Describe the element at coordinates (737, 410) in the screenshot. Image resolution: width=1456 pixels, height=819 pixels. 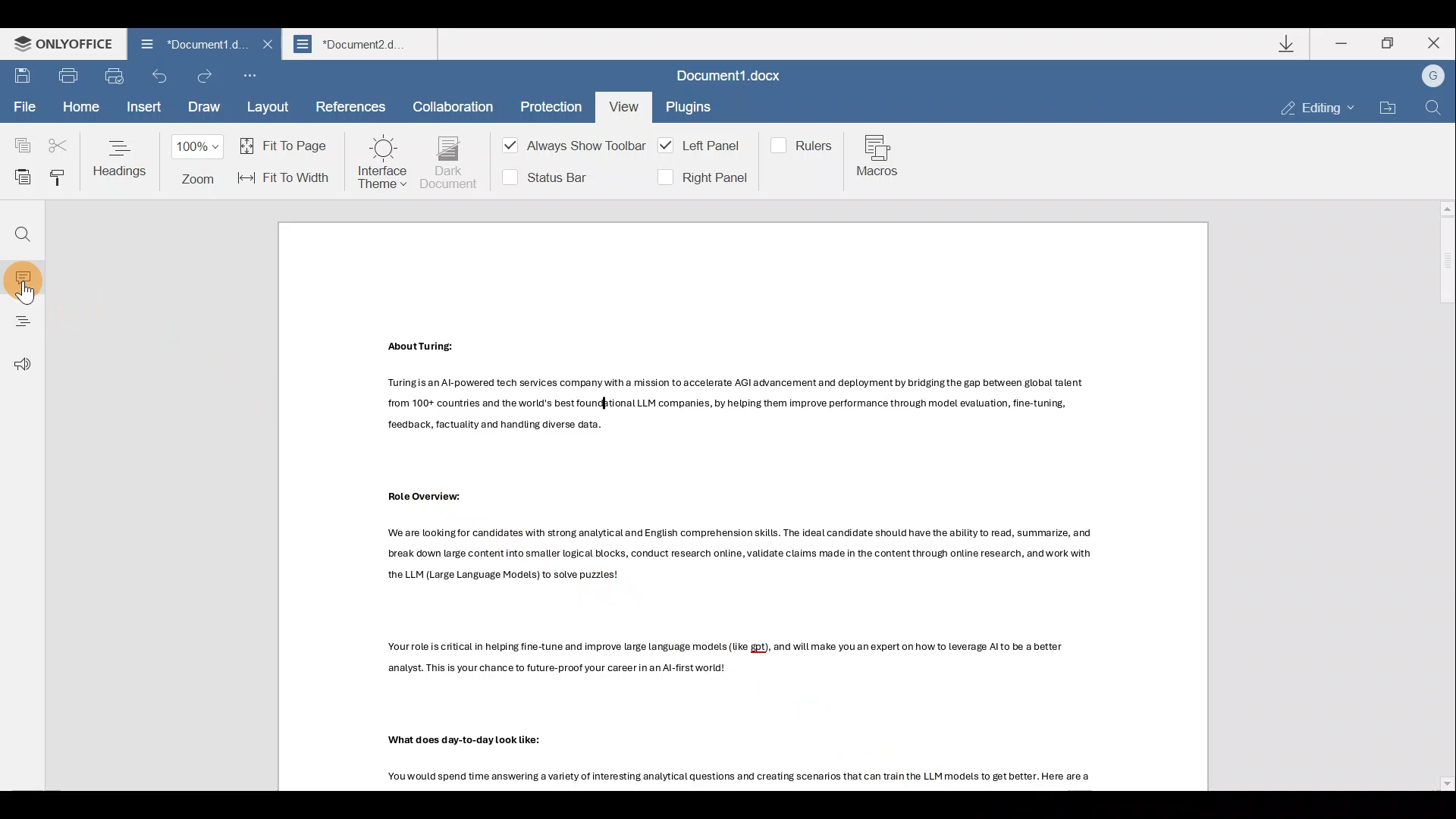
I see `` at that location.